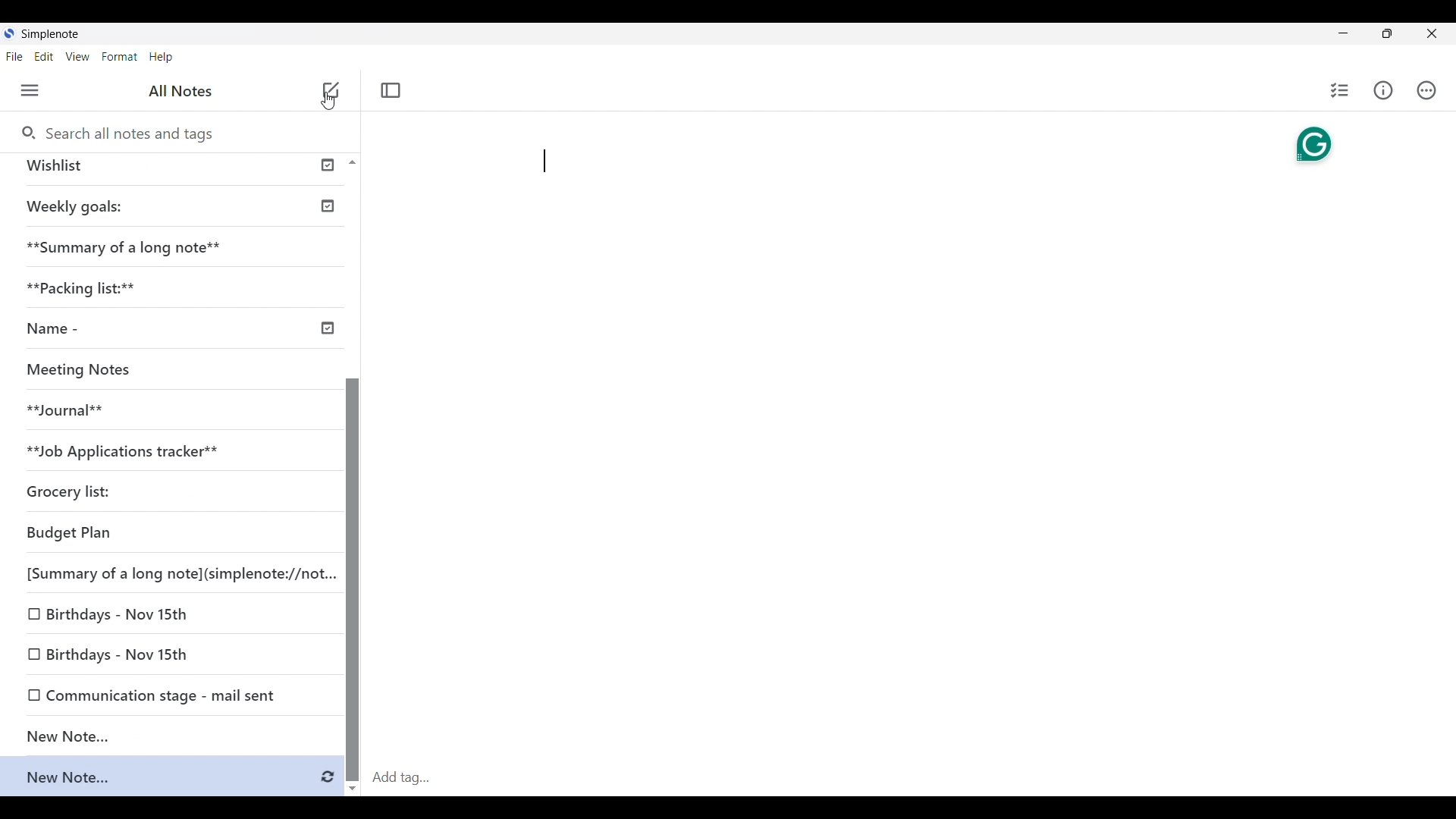 This screenshot has width=1456, height=819. Describe the element at coordinates (391, 91) in the screenshot. I see `close left sidebar` at that location.